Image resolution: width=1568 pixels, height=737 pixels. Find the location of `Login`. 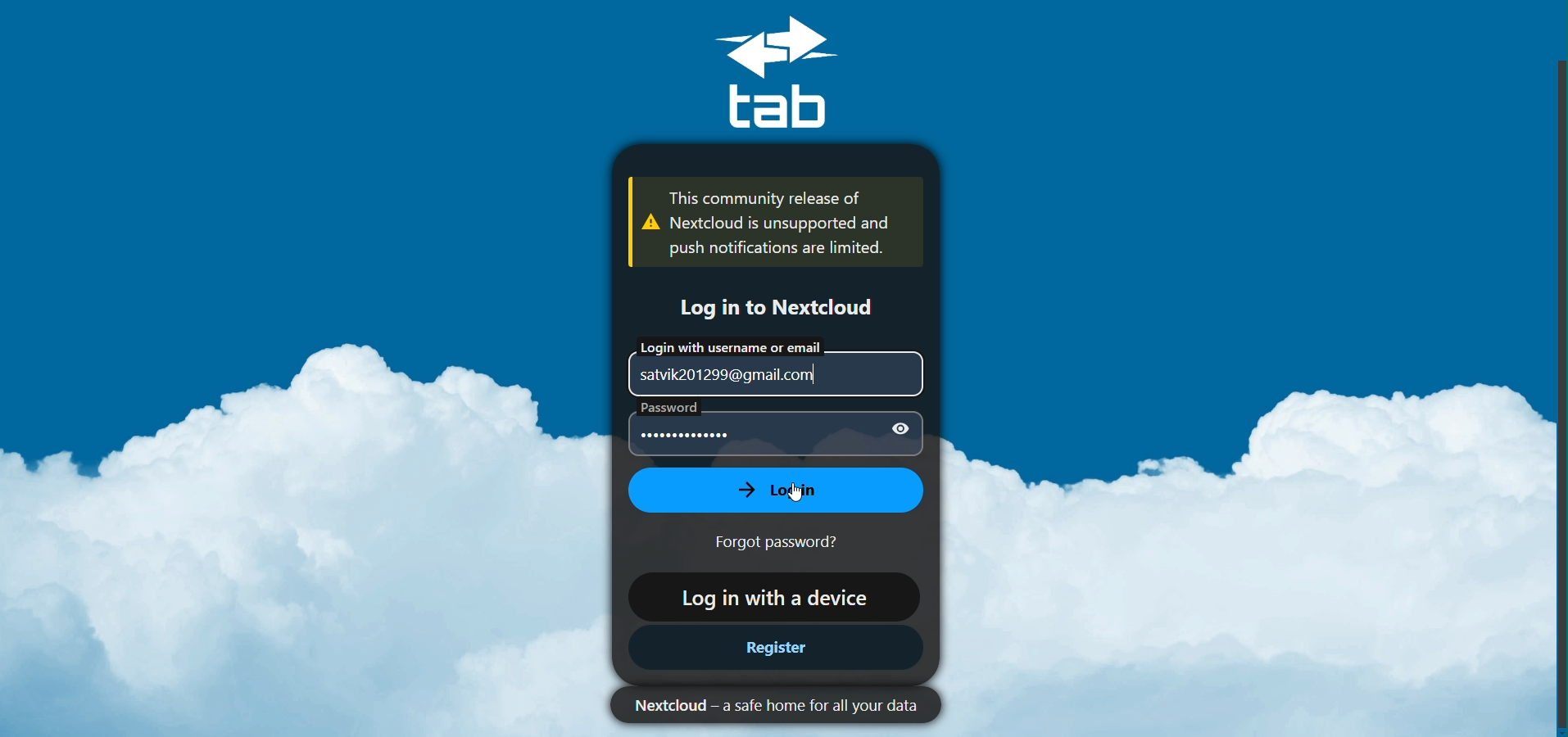

Login is located at coordinates (770, 490).